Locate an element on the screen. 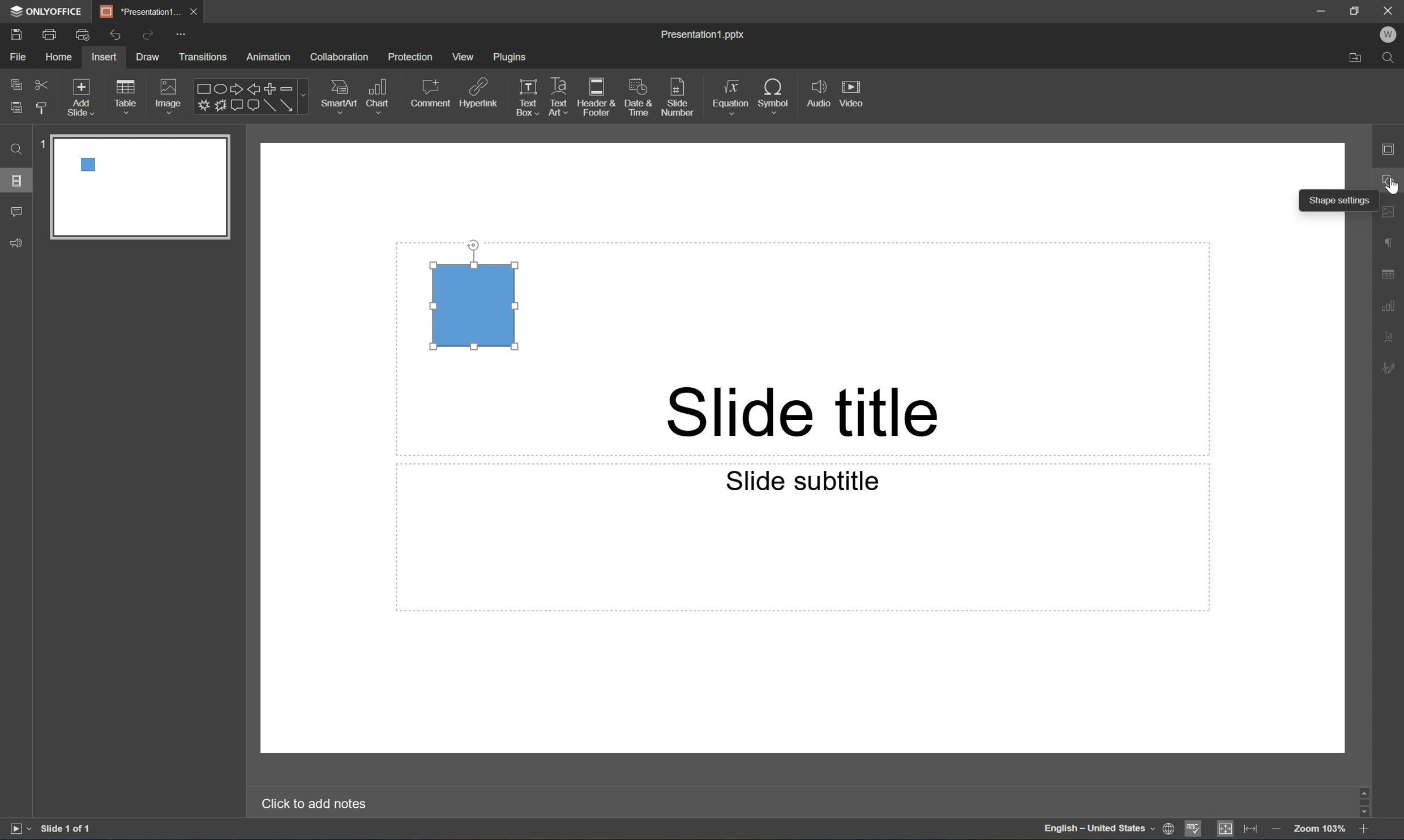 The height and width of the screenshot is (840, 1404). Chart is located at coordinates (376, 95).